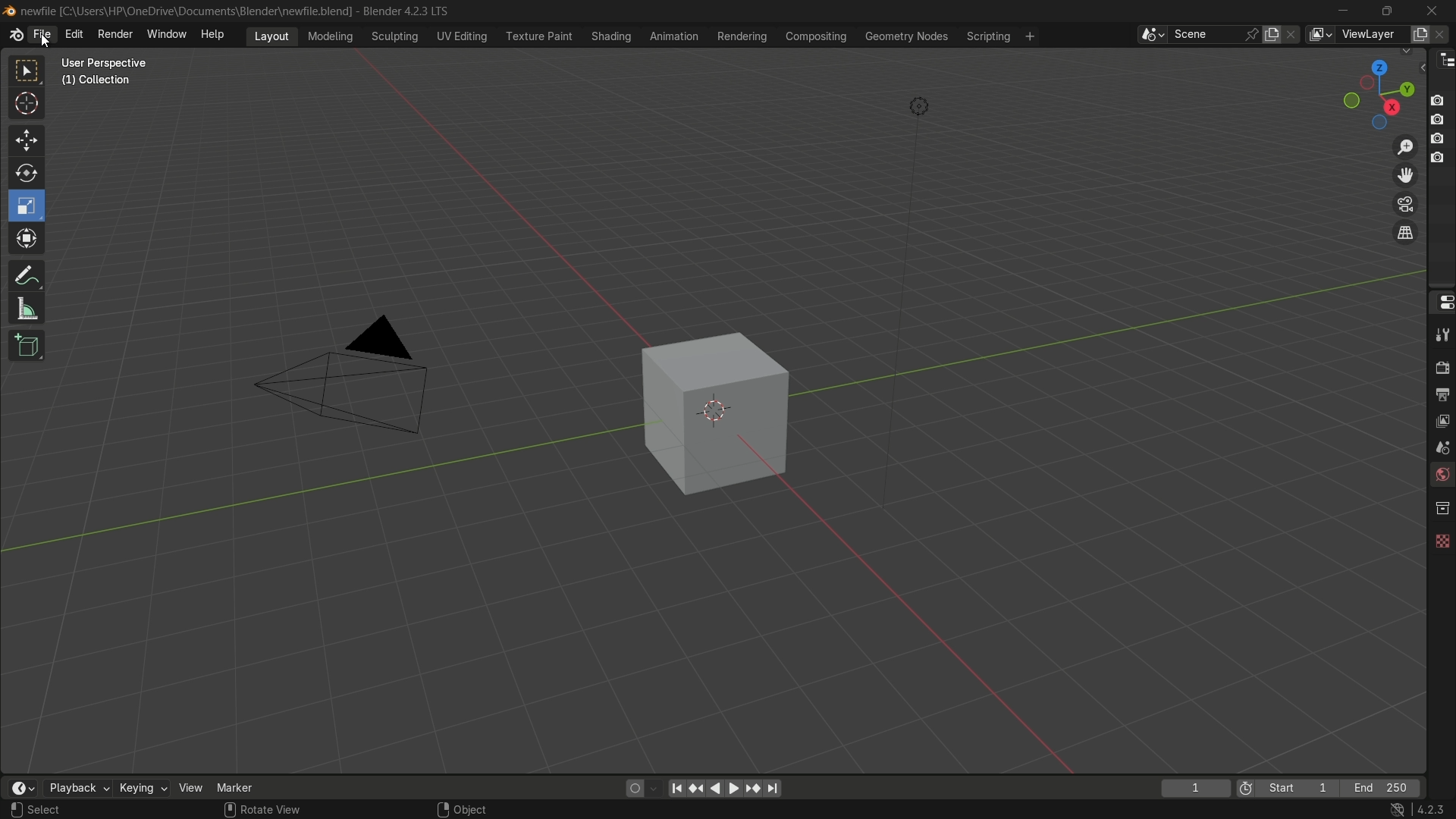 This screenshot has height=819, width=1456. What do you see at coordinates (1443, 33) in the screenshot?
I see `remove view layer` at bounding box center [1443, 33].